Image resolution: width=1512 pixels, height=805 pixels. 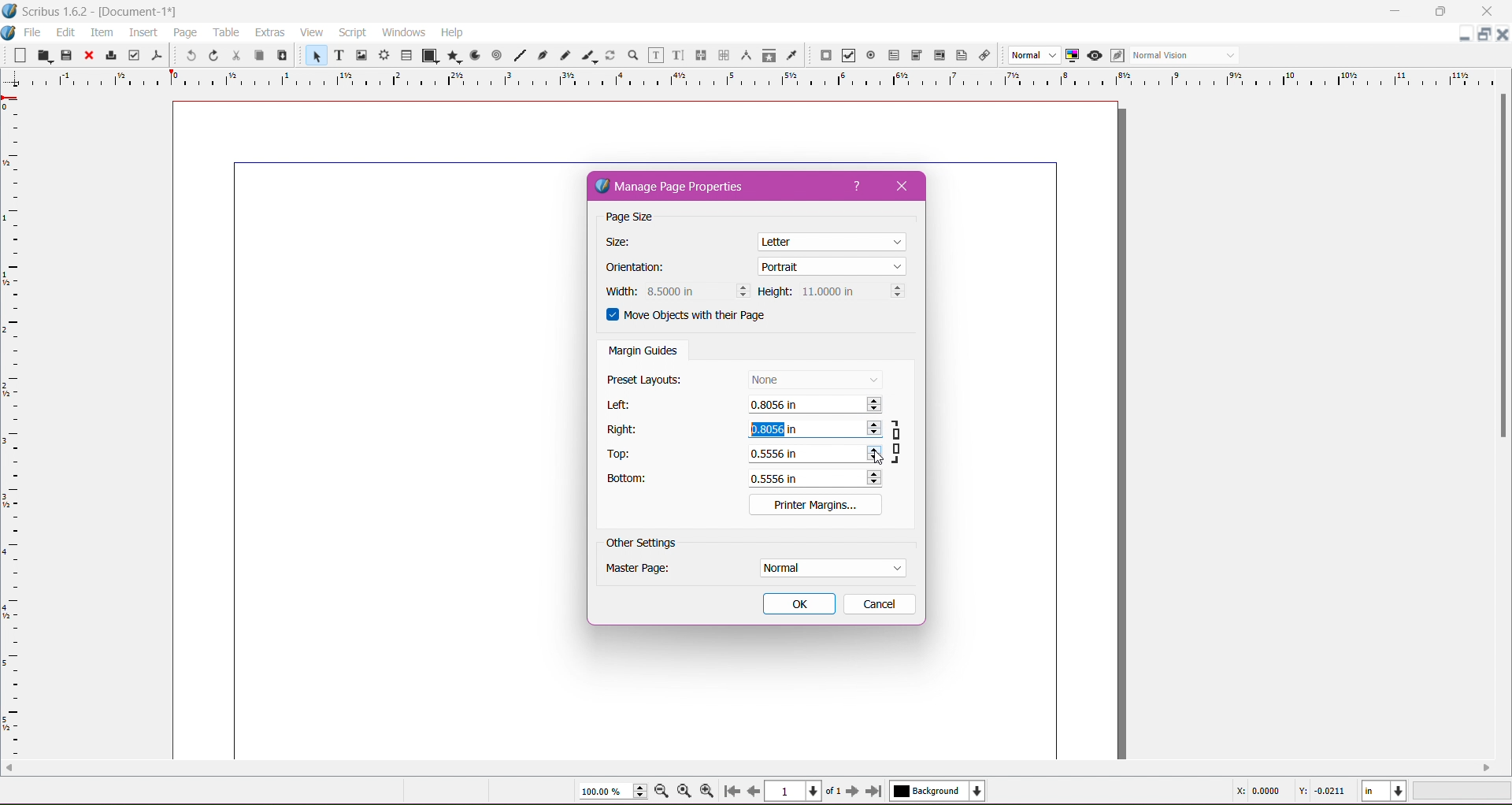 I want to click on Horizontal Scroll Bar, so click(x=748, y=768).